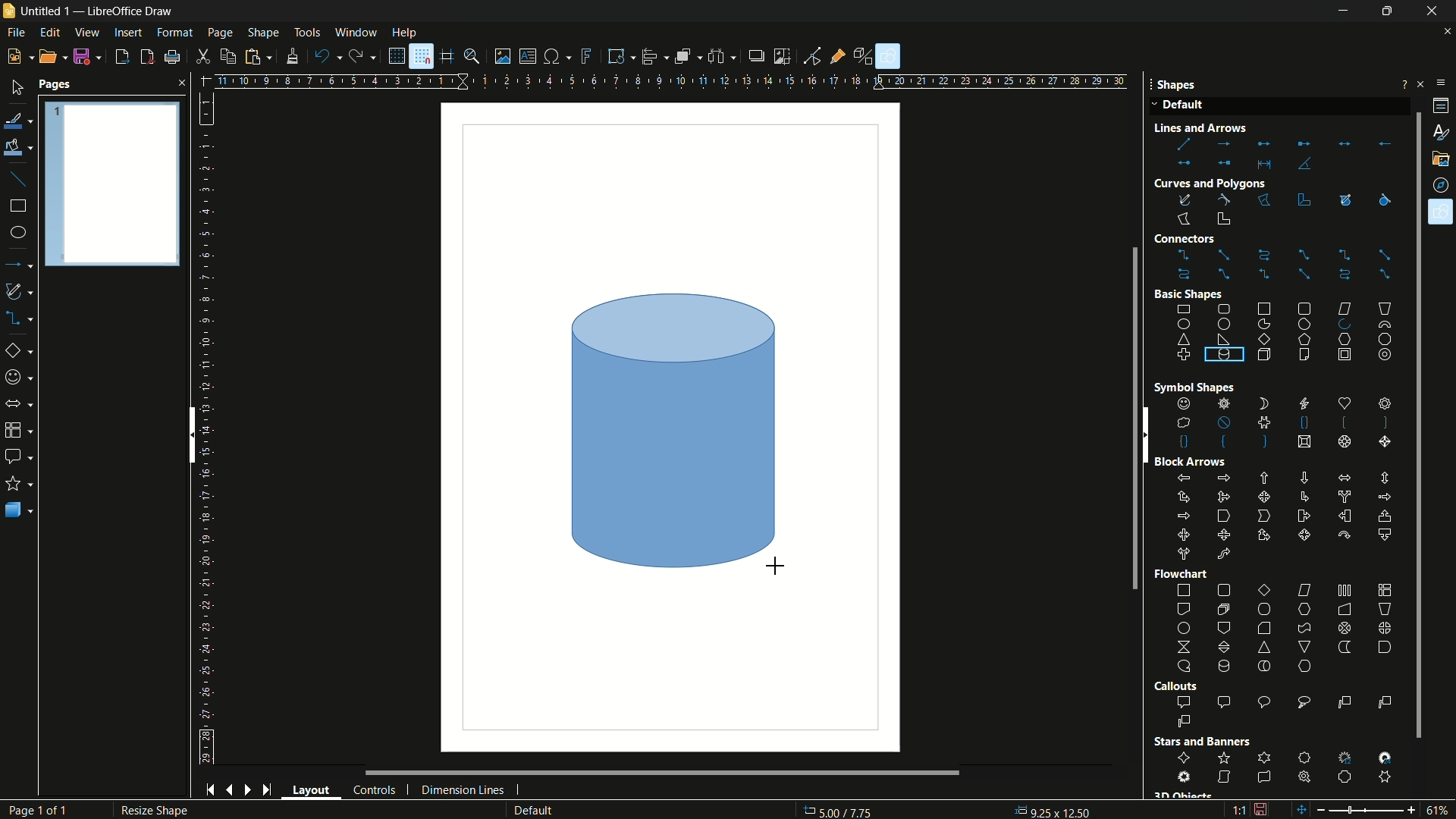 This screenshot has width=1456, height=819. I want to click on Basic shape, so click(1188, 293).